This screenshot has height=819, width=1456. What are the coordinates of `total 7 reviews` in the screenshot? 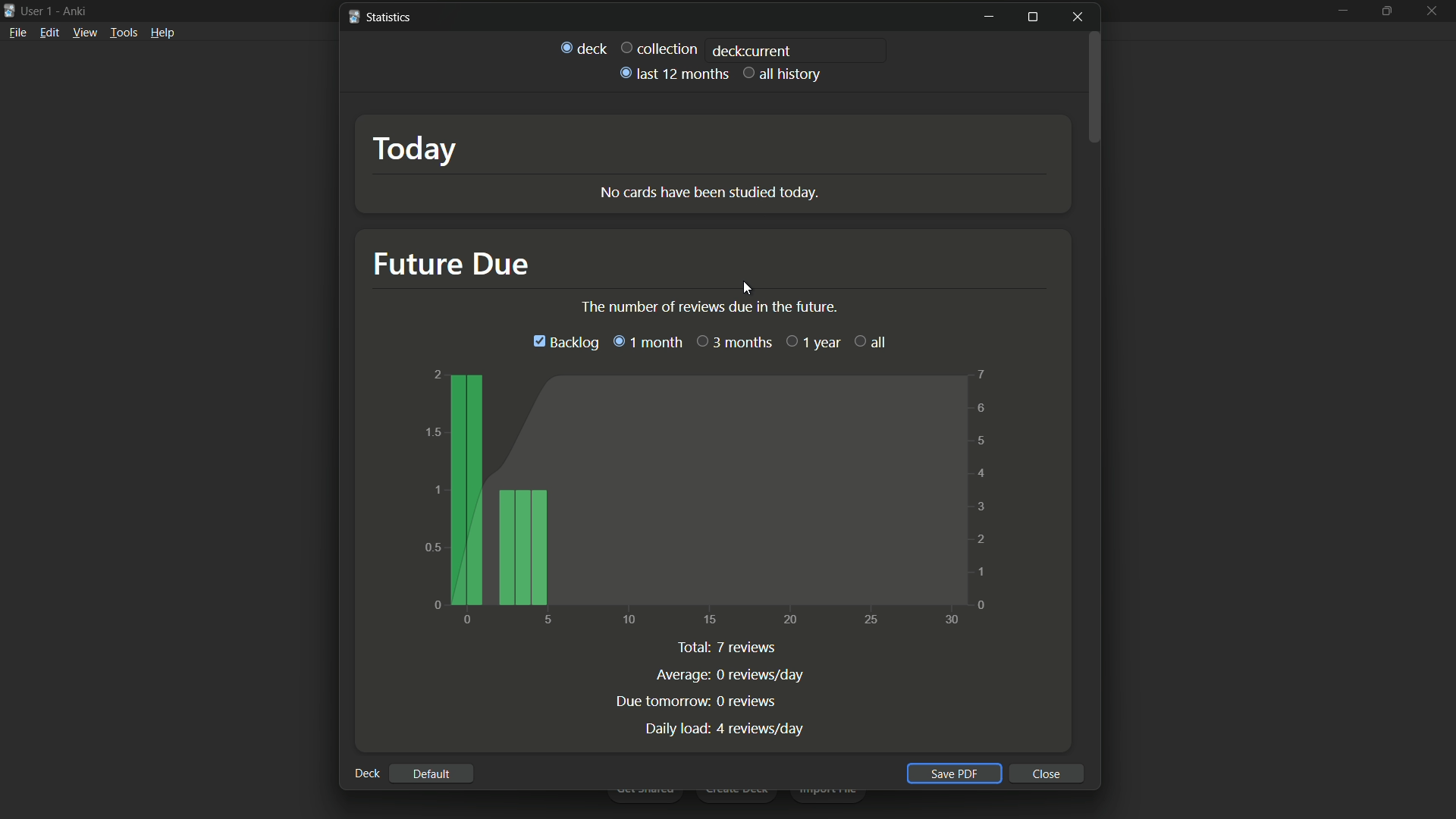 It's located at (730, 649).